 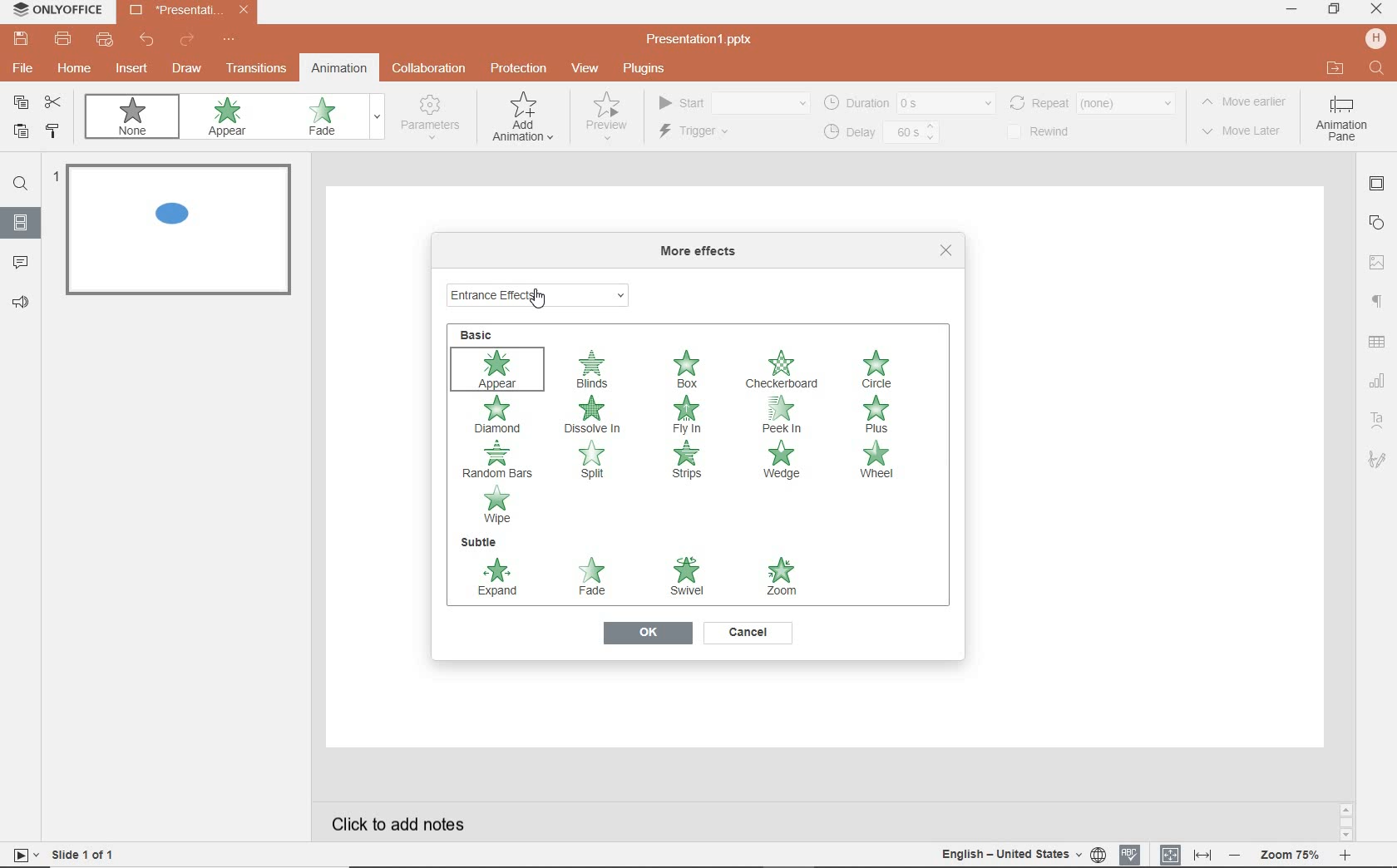 What do you see at coordinates (539, 302) in the screenshot?
I see `mouse pointer` at bounding box center [539, 302].